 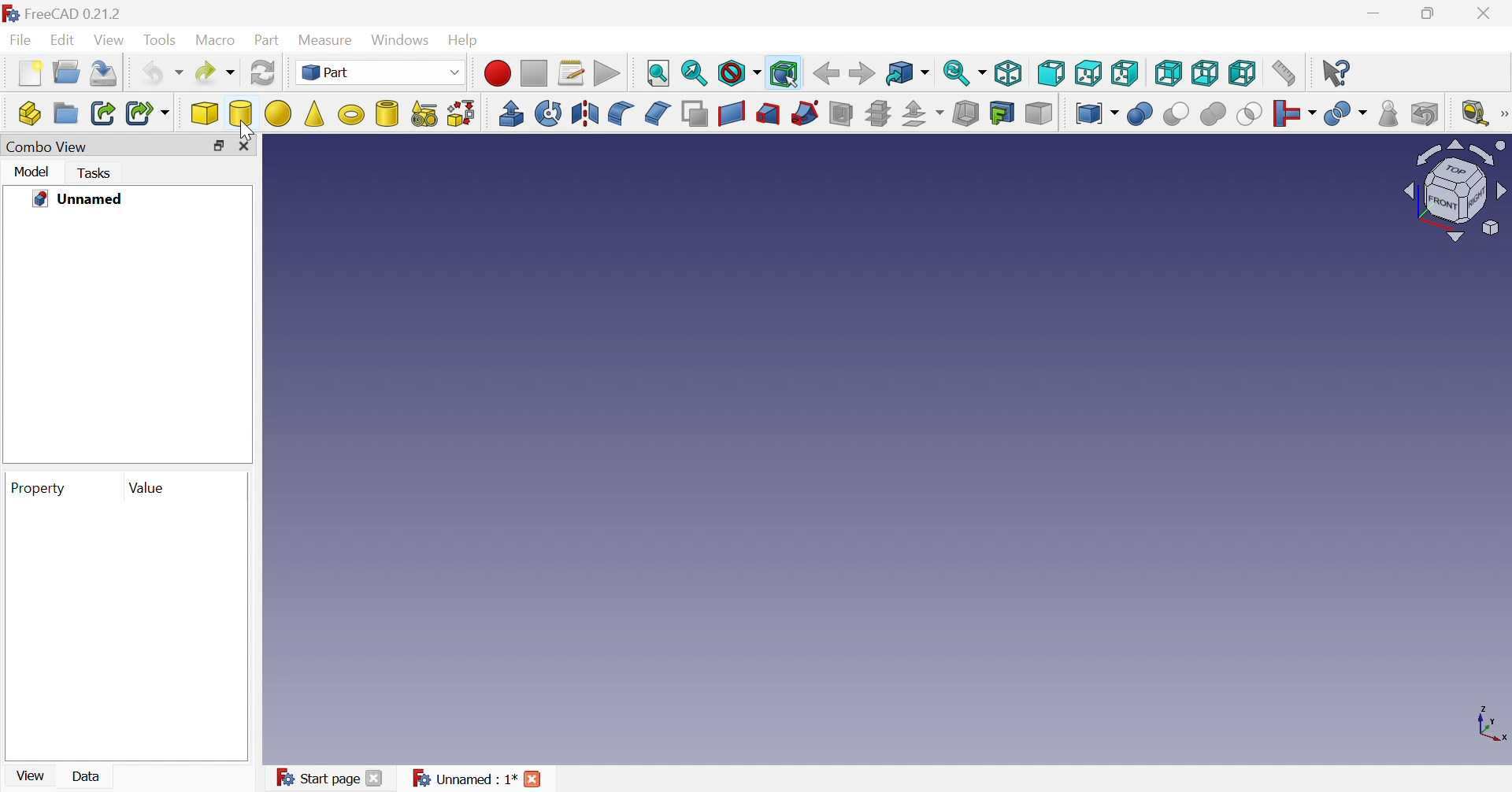 What do you see at coordinates (1474, 113) in the screenshot?
I see `Measure liner` at bounding box center [1474, 113].